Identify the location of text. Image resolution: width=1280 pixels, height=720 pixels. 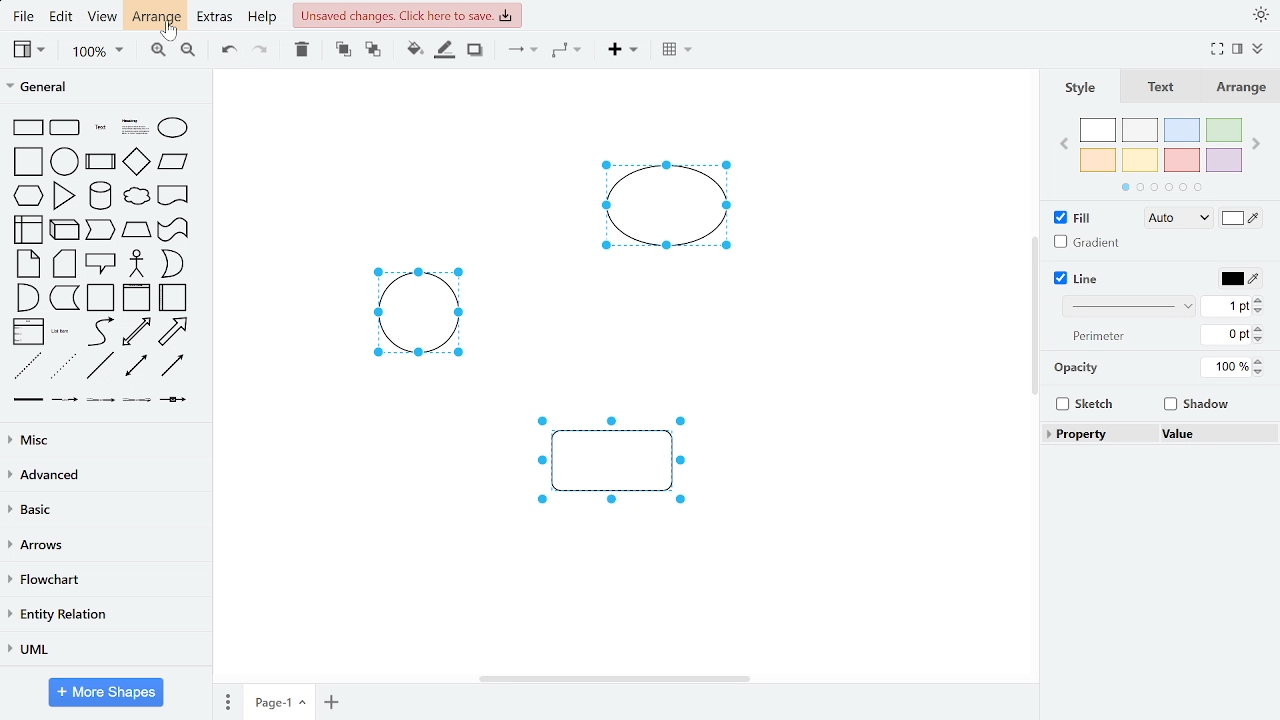
(1162, 87).